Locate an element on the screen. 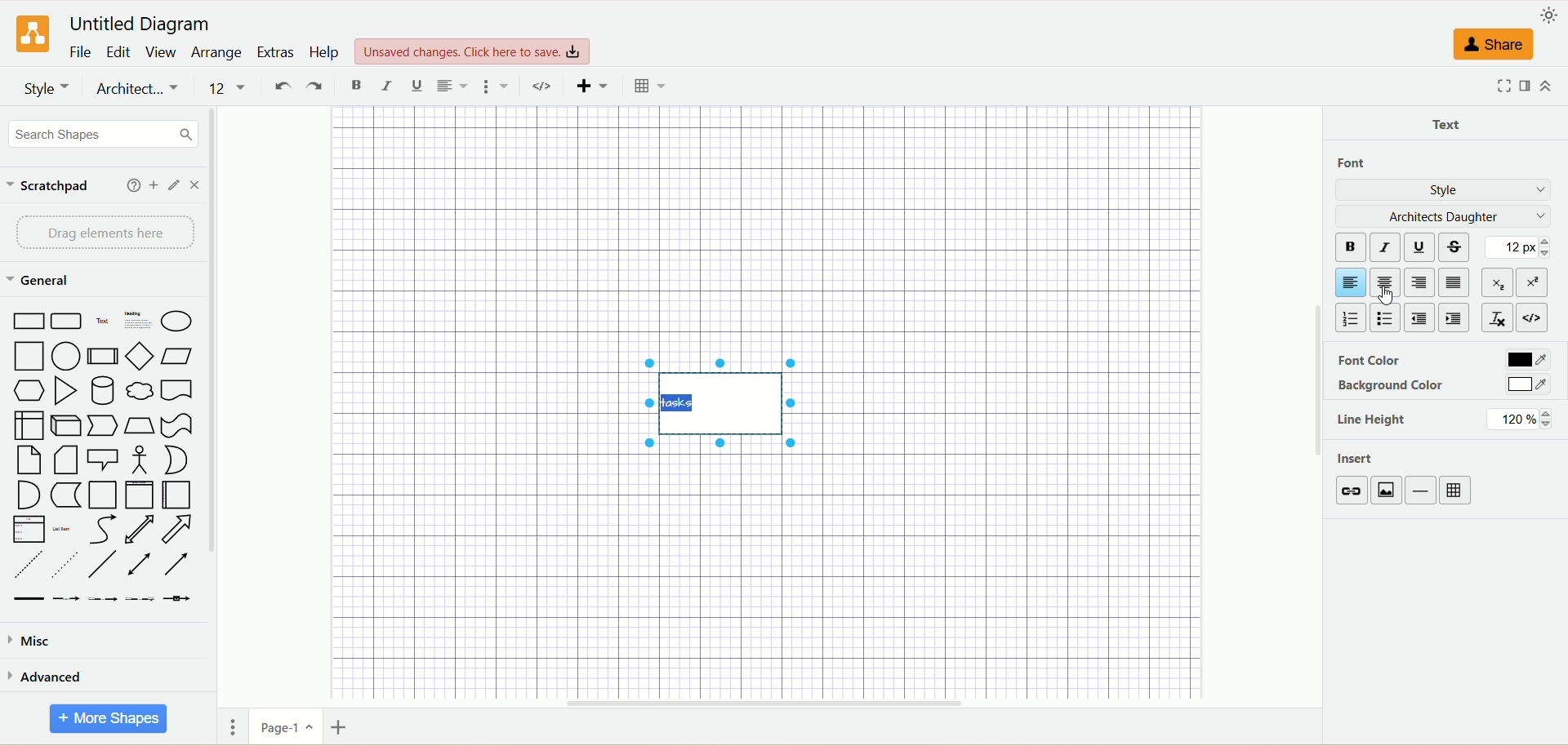 This screenshot has height=746, width=1568. Cuboid is located at coordinates (67, 426).